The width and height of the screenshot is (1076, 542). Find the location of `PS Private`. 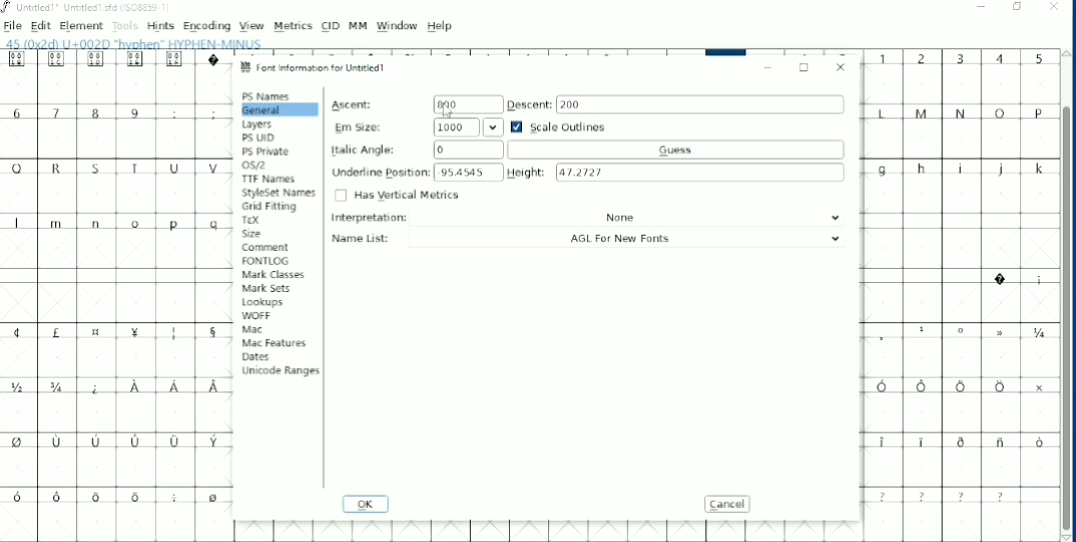

PS Private is located at coordinates (267, 151).